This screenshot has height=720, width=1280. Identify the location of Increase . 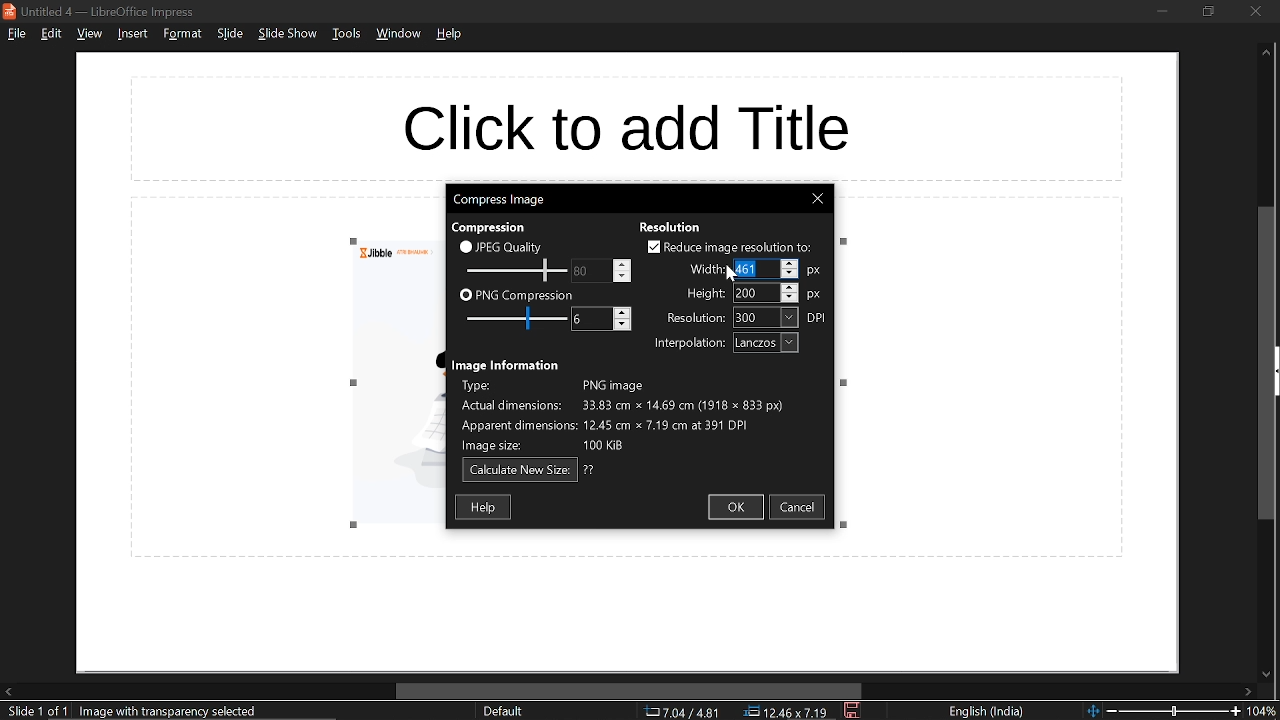
(623, 262).